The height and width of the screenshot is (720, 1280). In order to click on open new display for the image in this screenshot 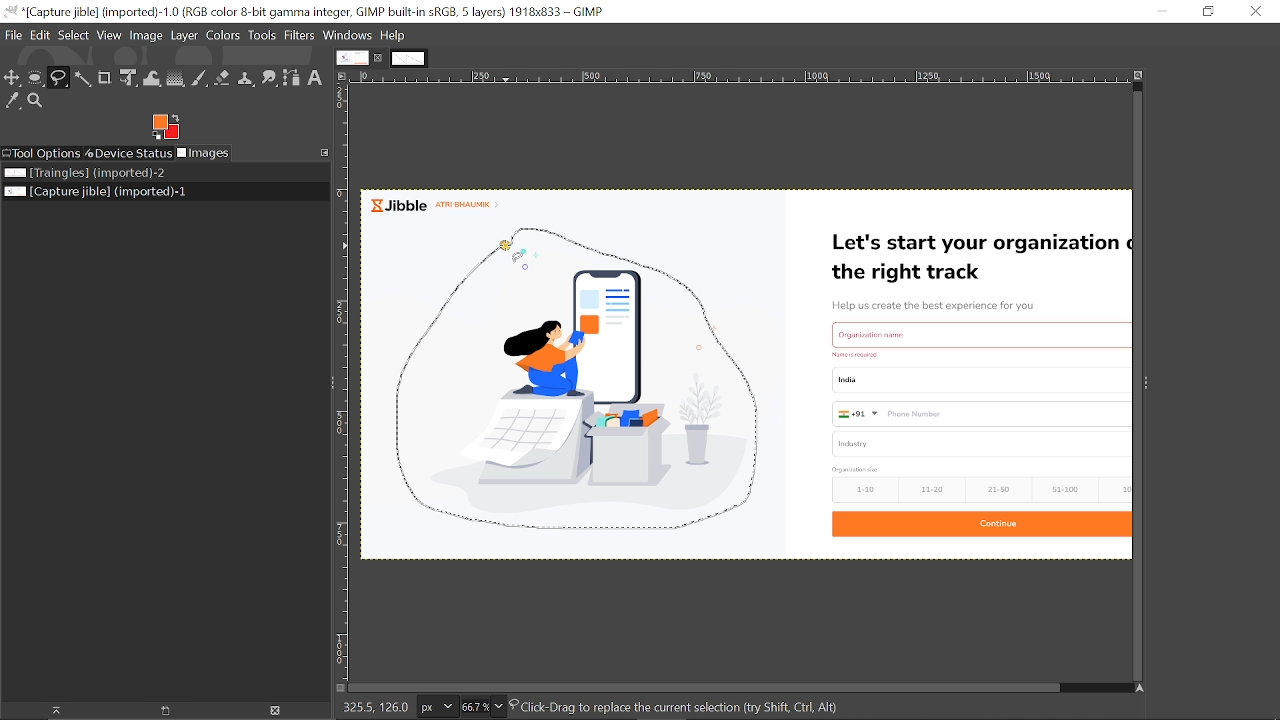, I will do `click(160, 711)`.